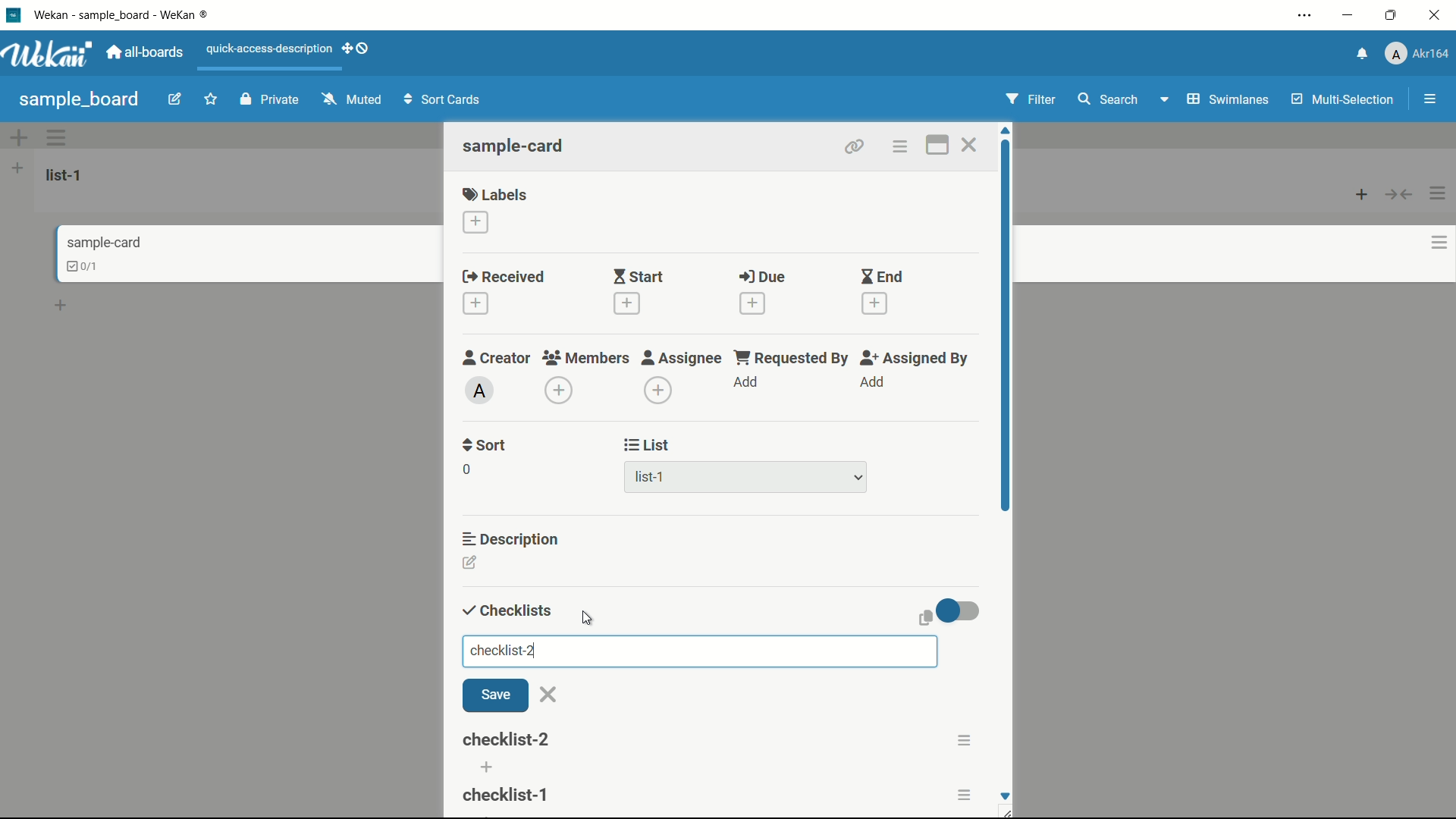 Image resolution: width=1456 pixels, height=819 pixels. What do you see at coordinates (792, 357) in the screenshot?
I see `requested by` at bounding box center [792, 357].